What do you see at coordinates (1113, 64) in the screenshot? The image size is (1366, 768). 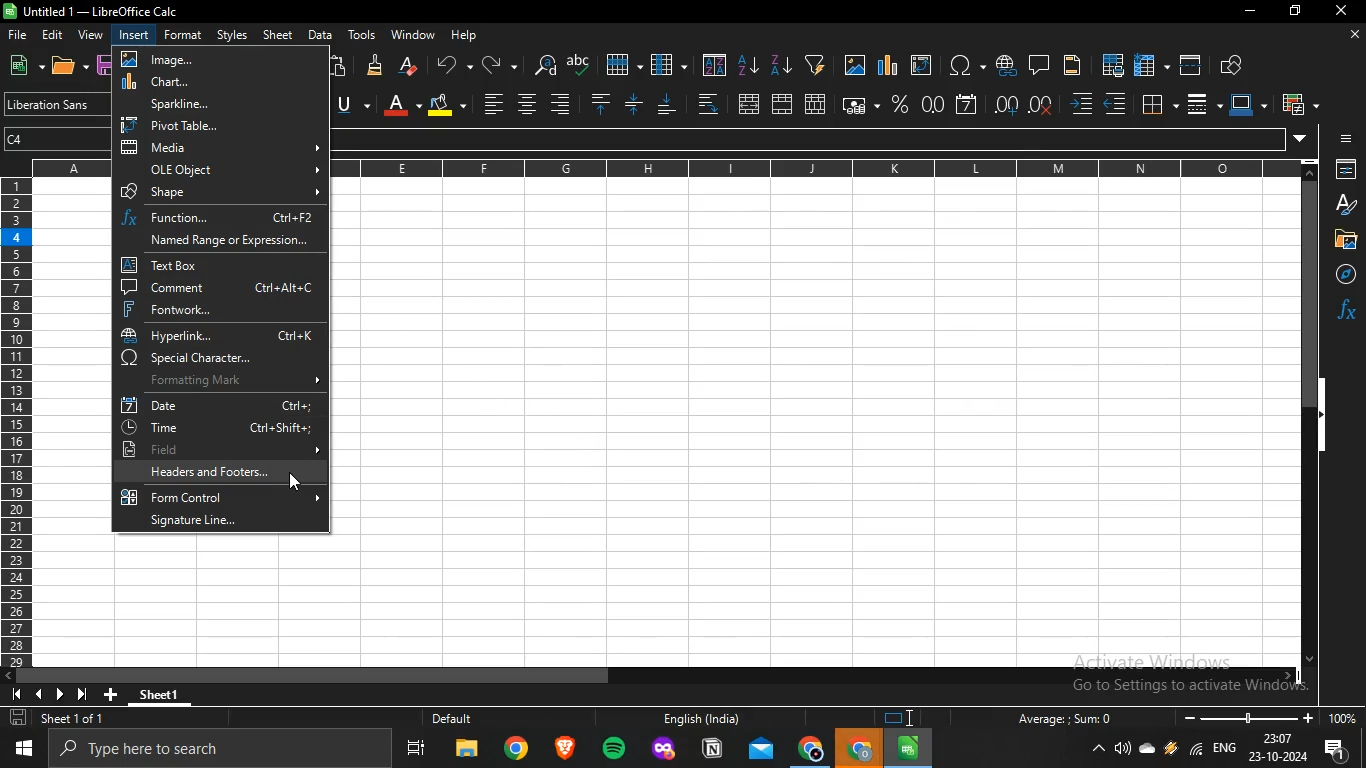 I see `define print area` at bounding box center [1113, 64].